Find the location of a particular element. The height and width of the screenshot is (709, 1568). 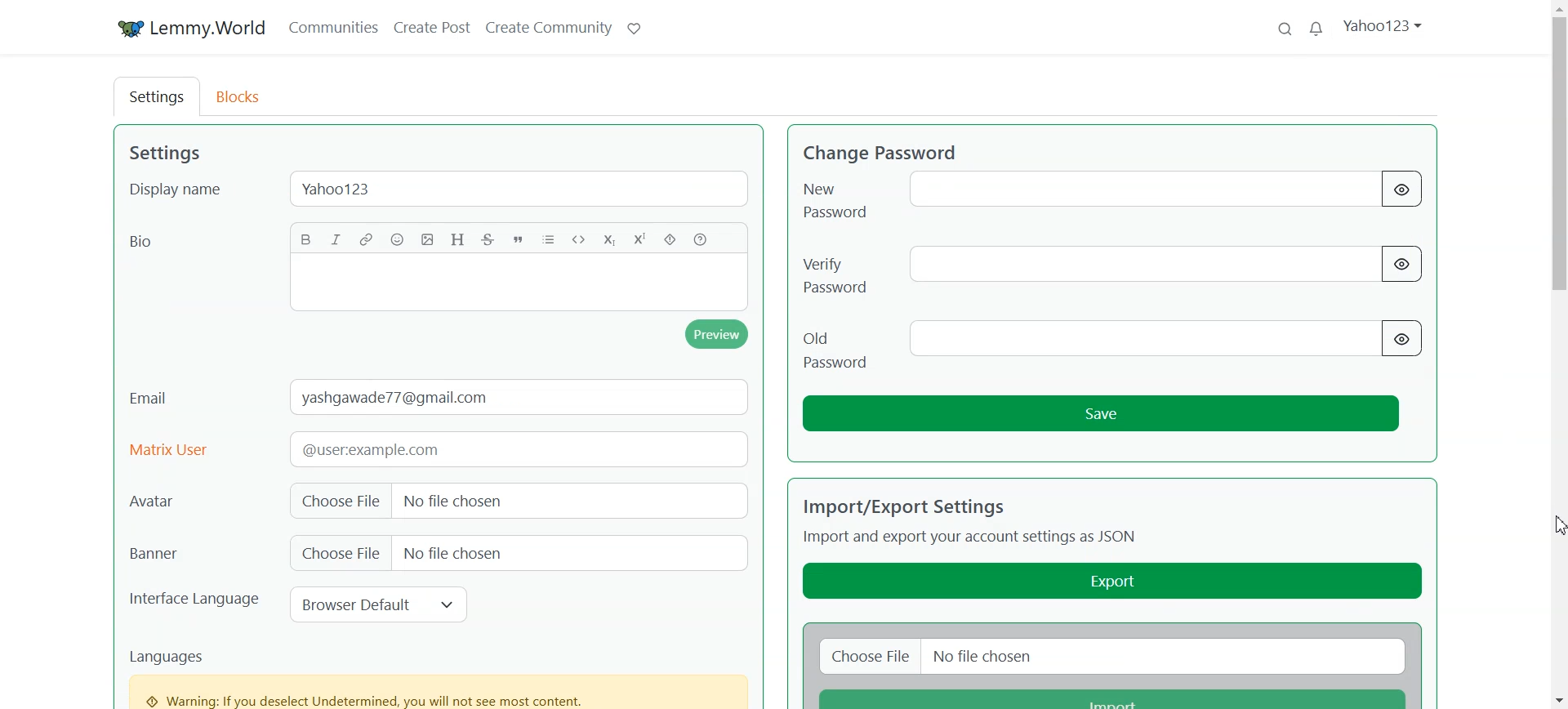

Formatting Help is located at coordinates (701, 238).